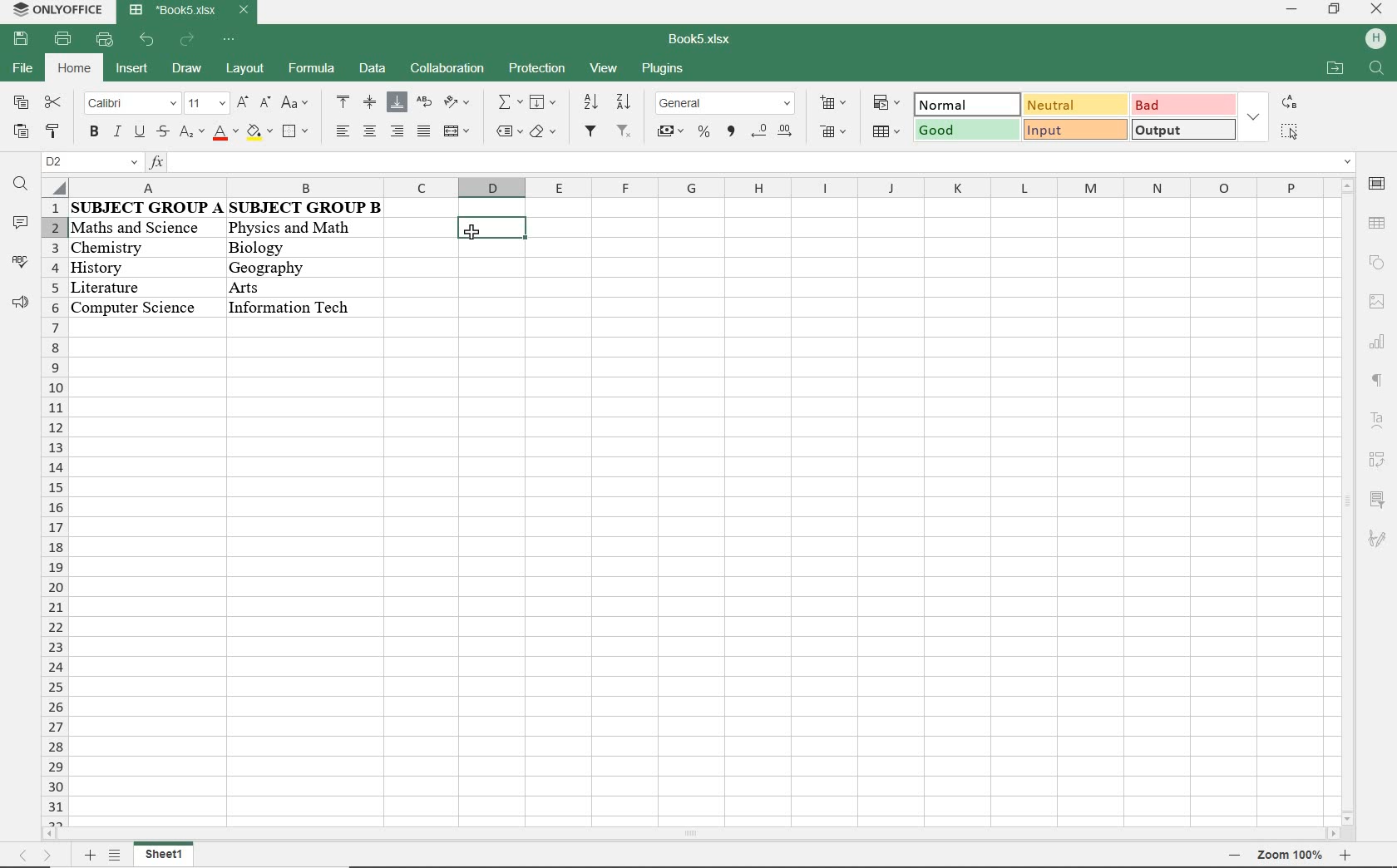 The width and height of the screenshot is (1397, 868). I want to click on history, so click(137, 265).